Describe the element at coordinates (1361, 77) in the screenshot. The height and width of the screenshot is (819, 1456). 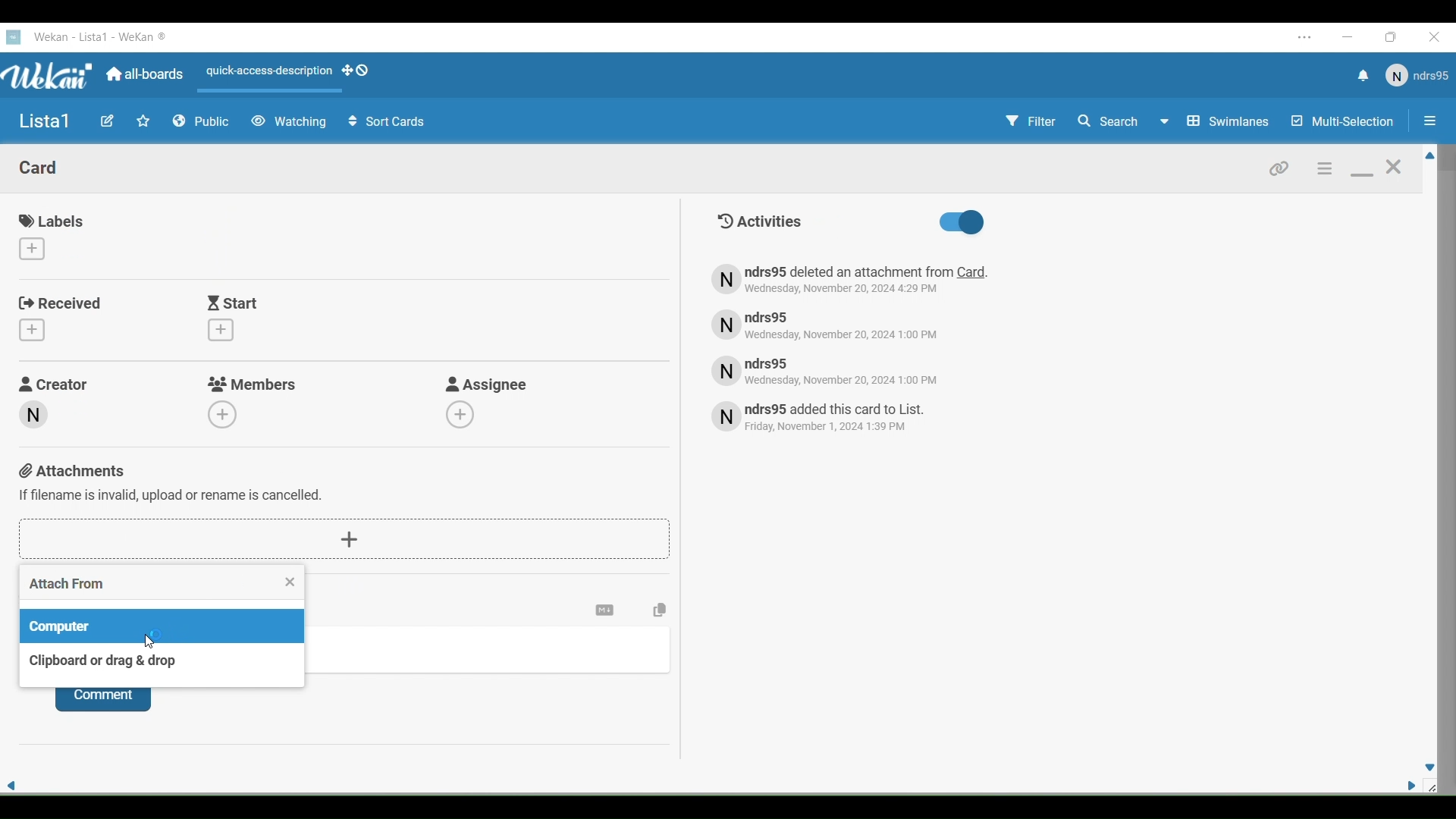
I see `Notifications` at that location.